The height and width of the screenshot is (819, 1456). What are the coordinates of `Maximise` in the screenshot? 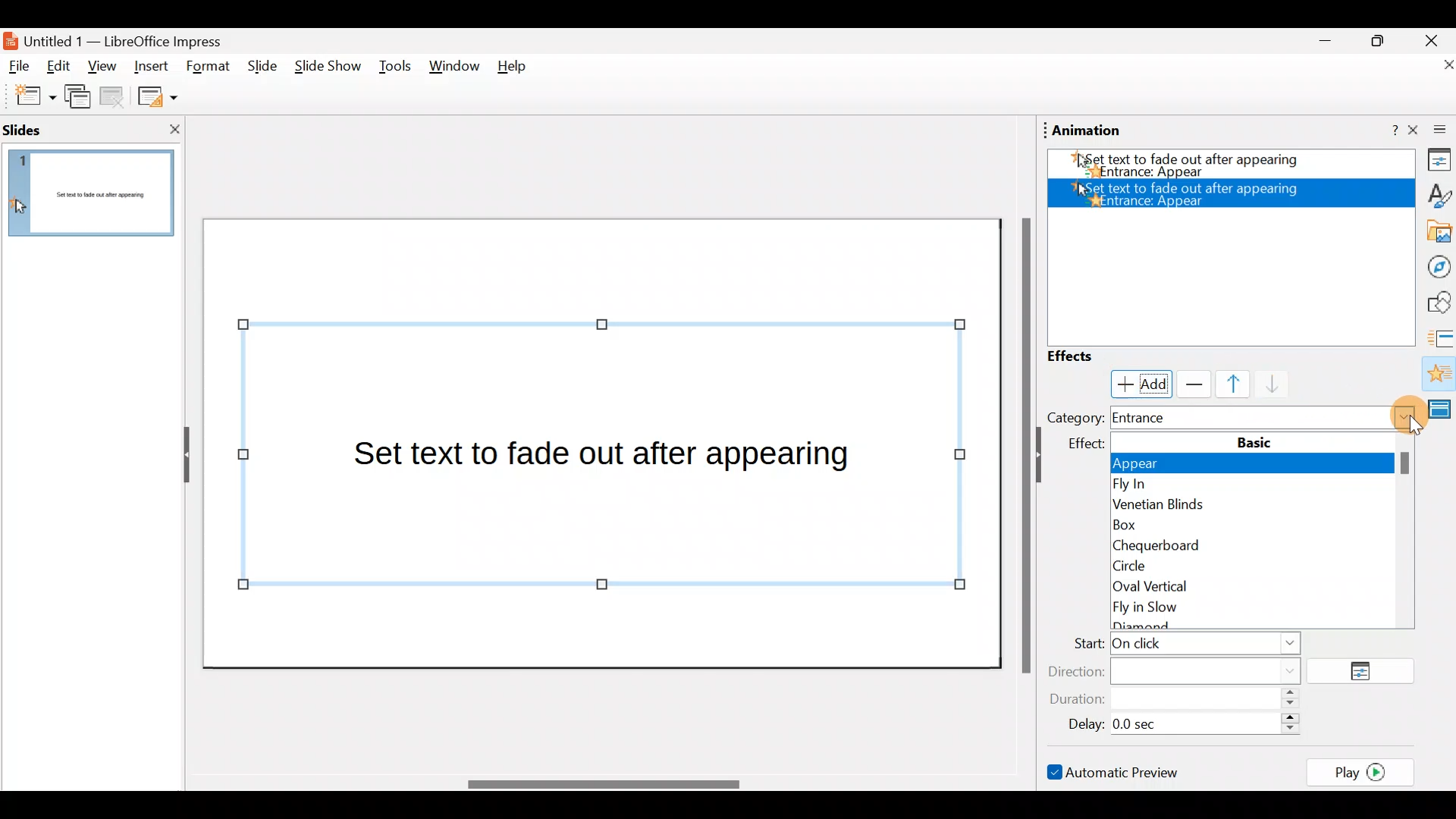 It's located at (1383, 41).